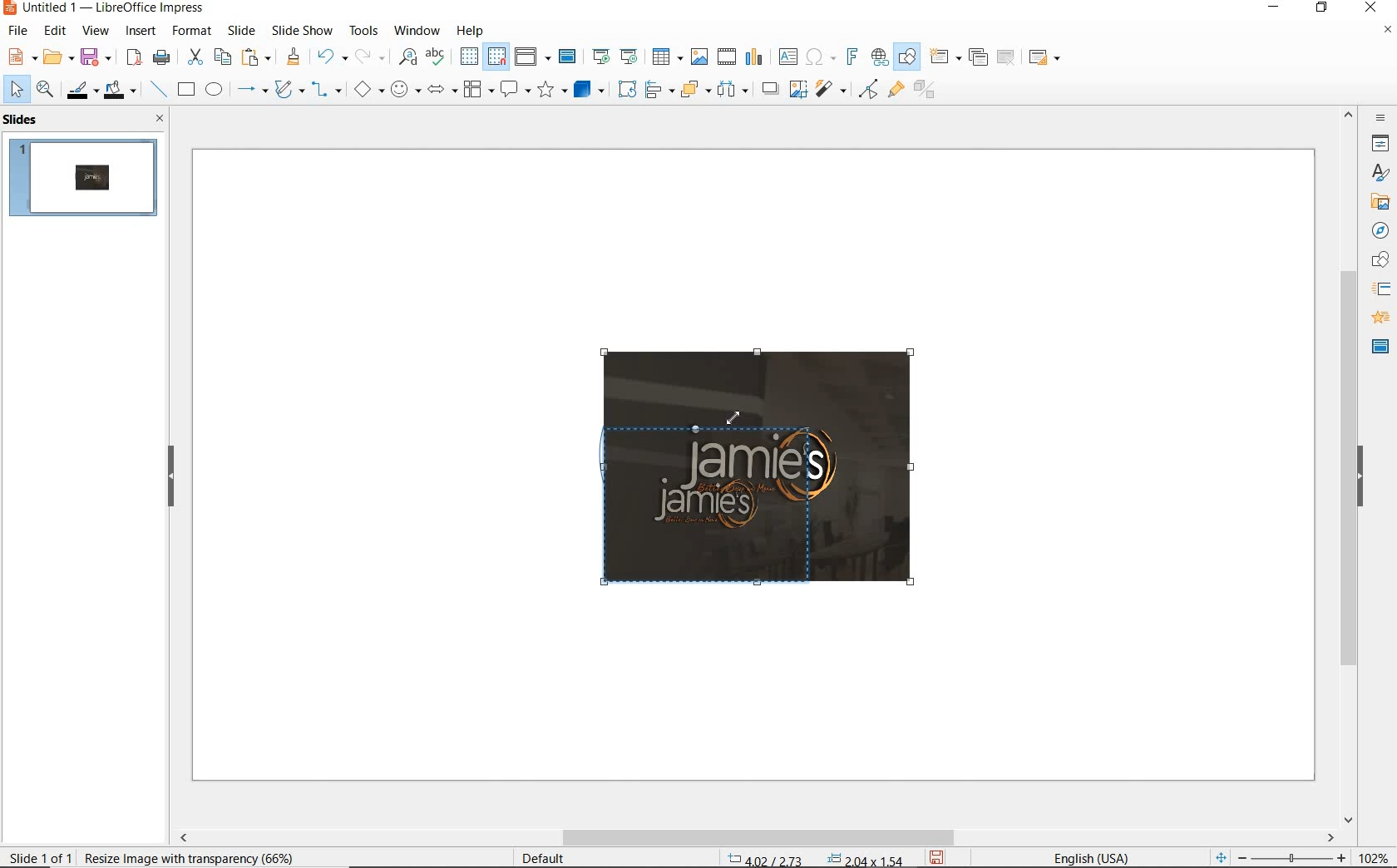 The height and width of the screenshot is (868, 1397). I want to click on gallery, so click(1377, 201).